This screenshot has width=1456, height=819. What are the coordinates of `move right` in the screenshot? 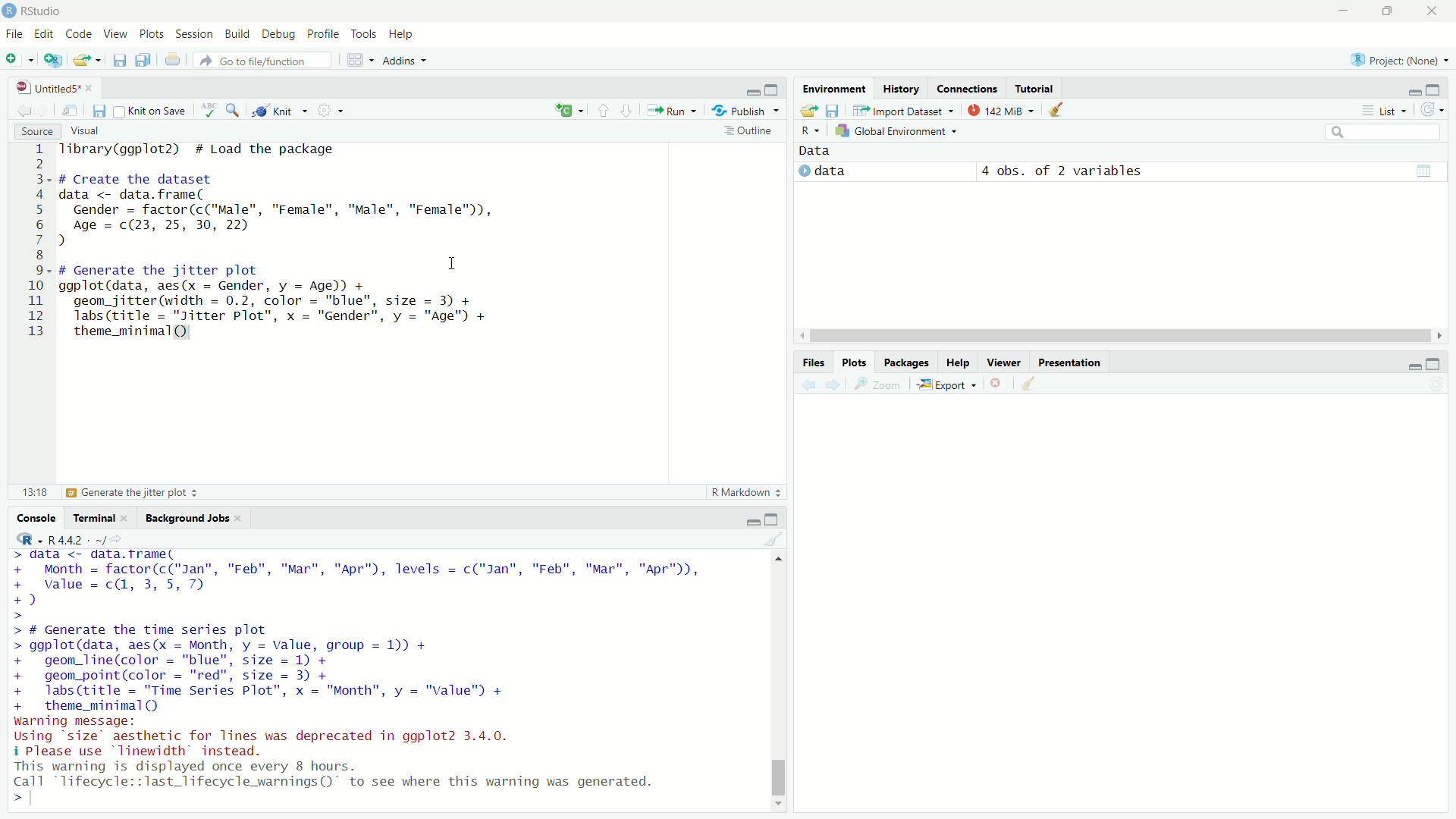 It's located at (1439, 335).